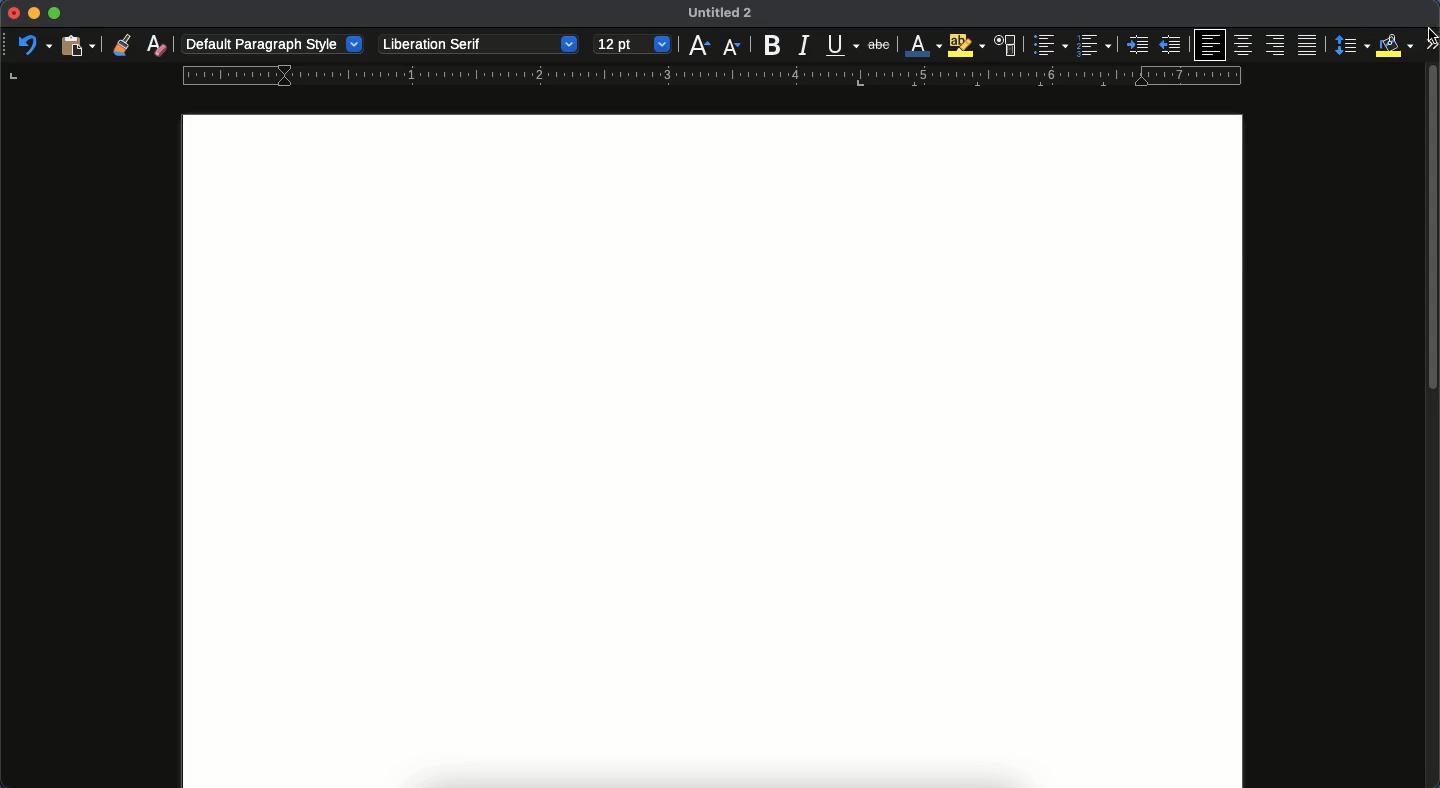 This screenshot has width=1440, height=788. What do you see at coordinates (968, 45) in the screenshot?
I see `highlight` at bounding box center [968, 45].